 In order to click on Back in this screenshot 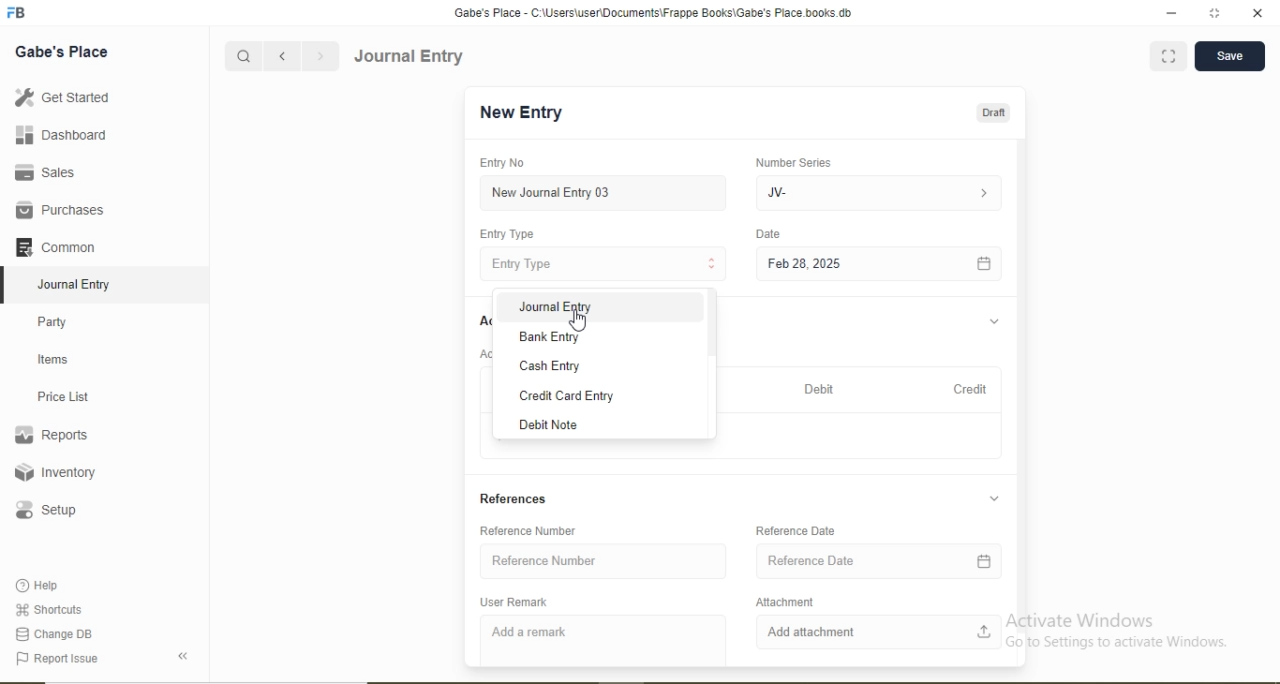, I will do `click(182, 656)`.